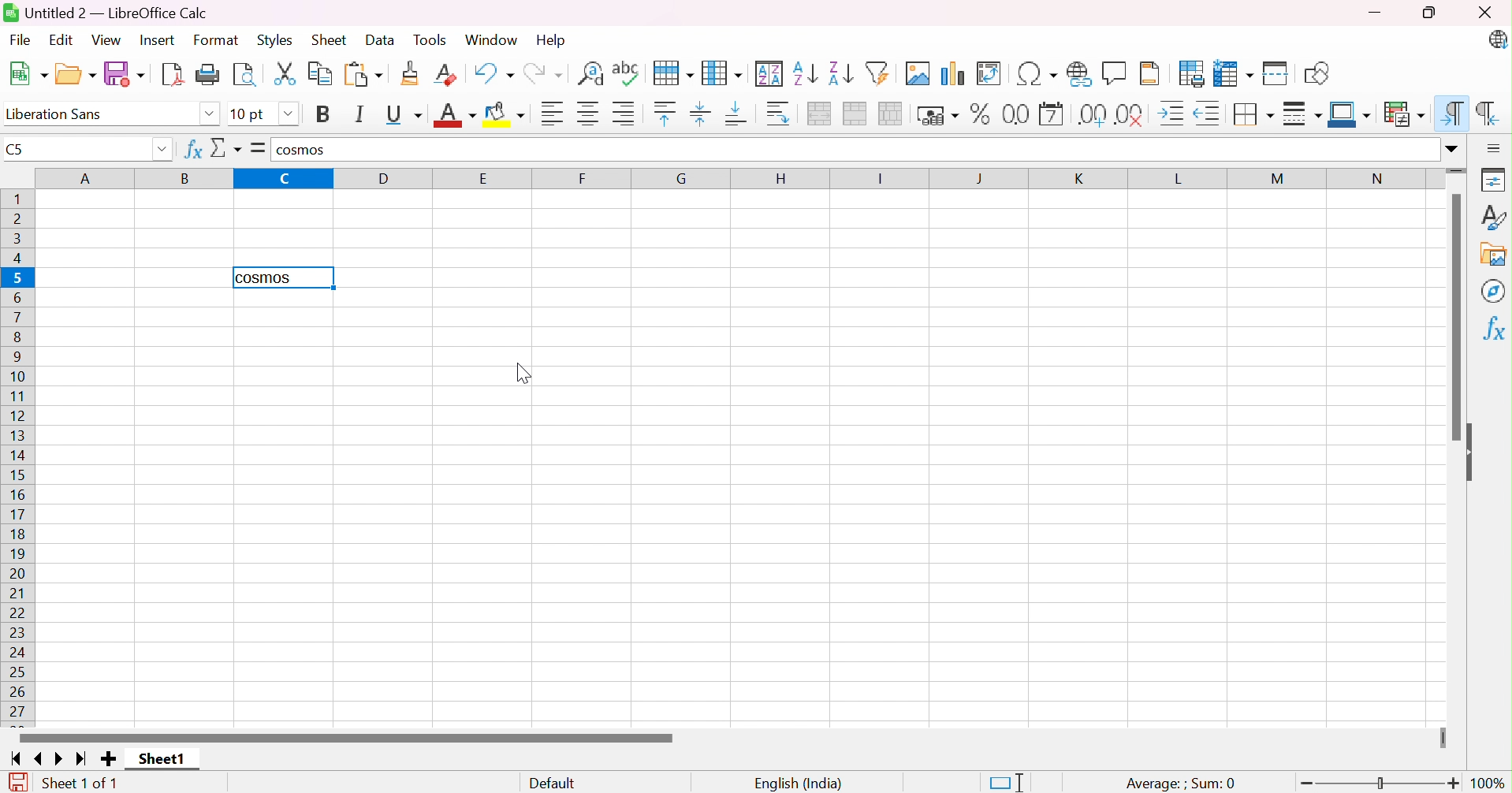 Image resolution: width=1512 pixels, height=793 pixels. Describe the element at coordinates (1040, 73) in the screenshot. I see `Insert Special Functions` at that location.